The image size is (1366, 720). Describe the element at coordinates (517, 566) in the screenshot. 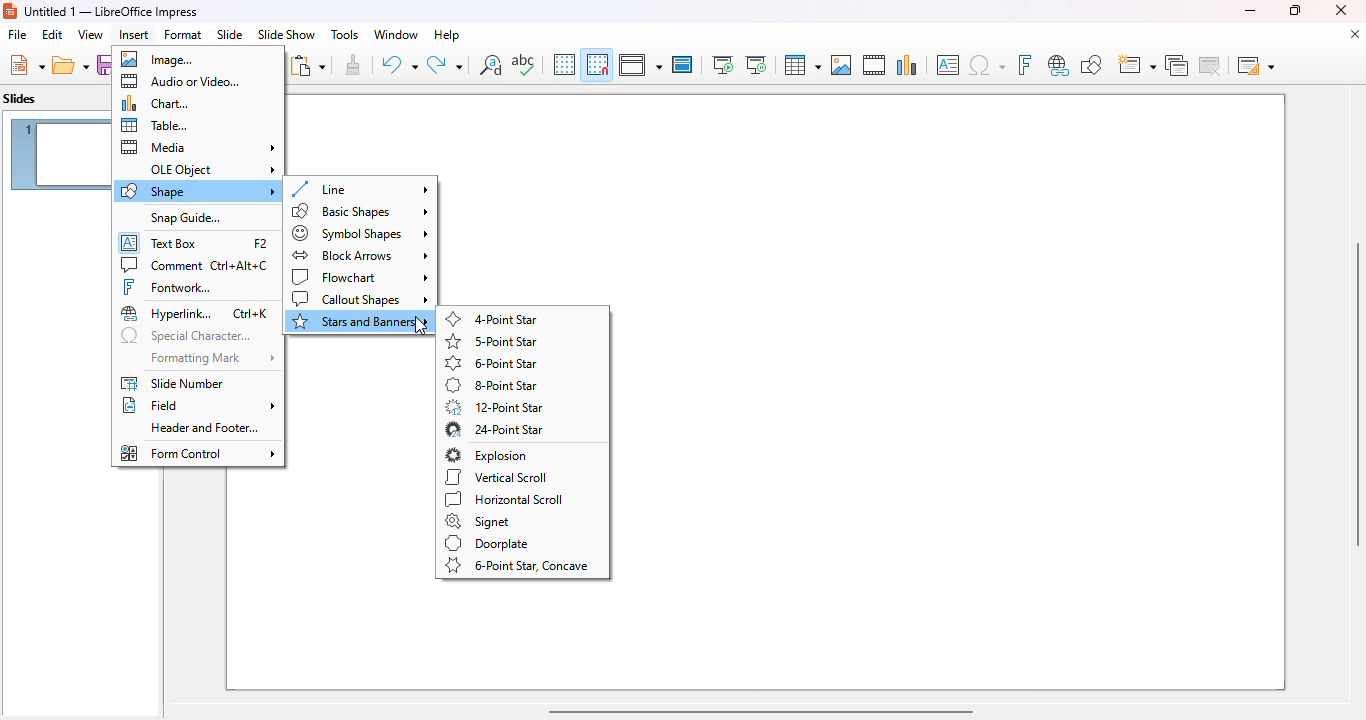

I see `6-point star, concave` at that location.